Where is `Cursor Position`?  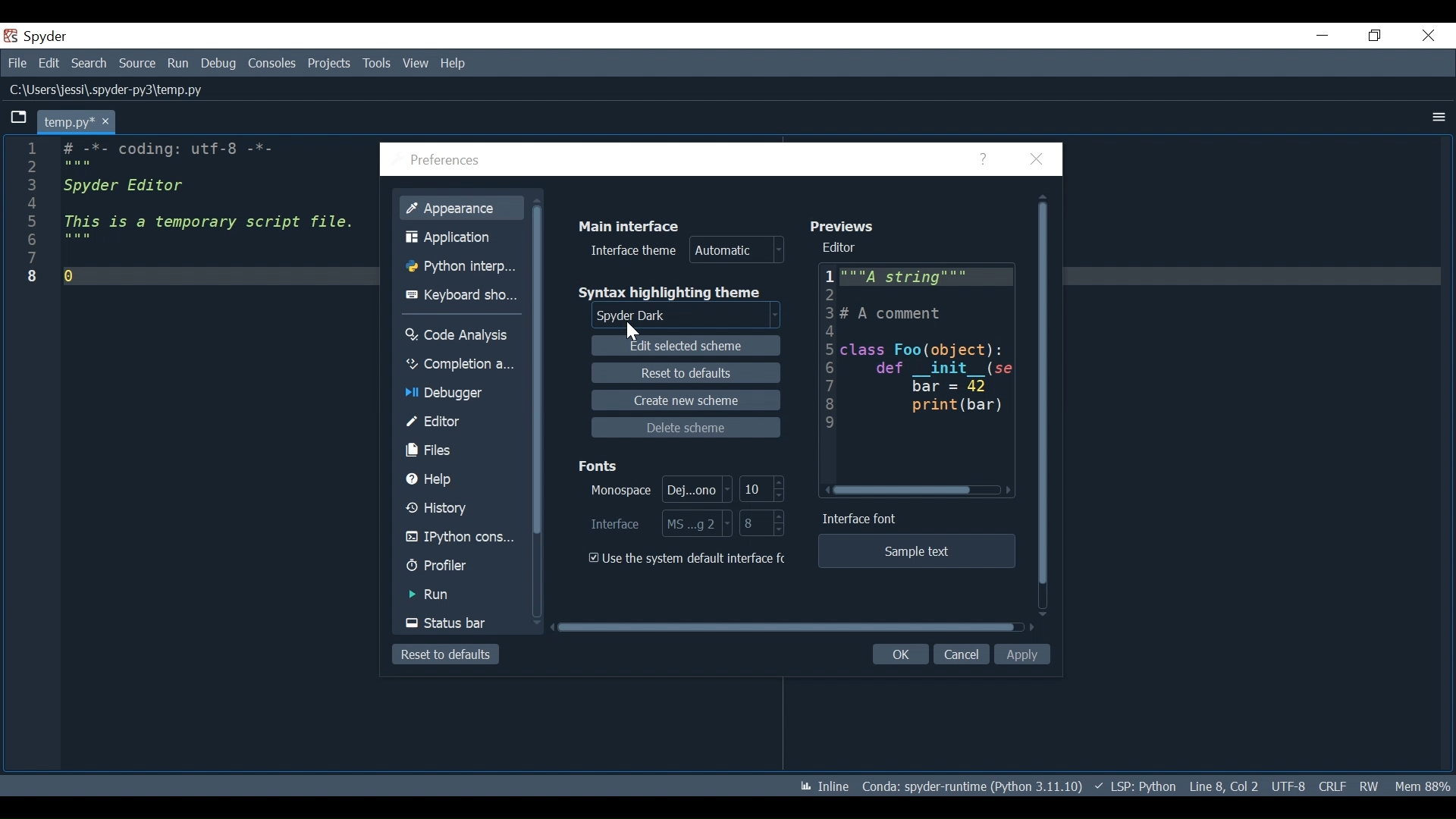
Cursor Position is located at coordinates (1222, 786).